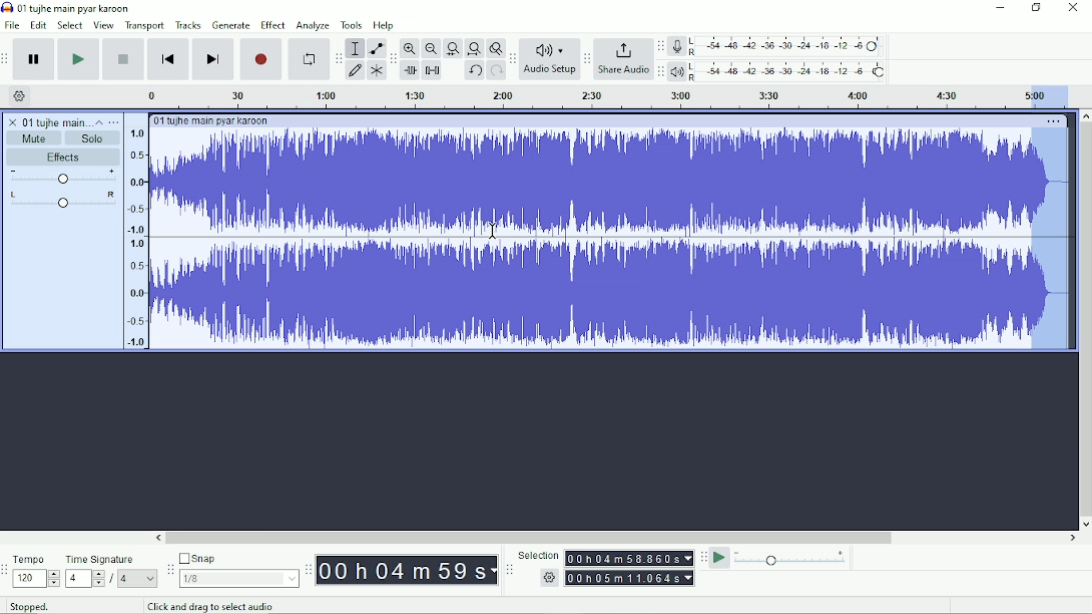  What do you see at coordinates (5, 571) in the screenshot?
I see `Audacity time signature toolbar` at bounding box center [5, 571].